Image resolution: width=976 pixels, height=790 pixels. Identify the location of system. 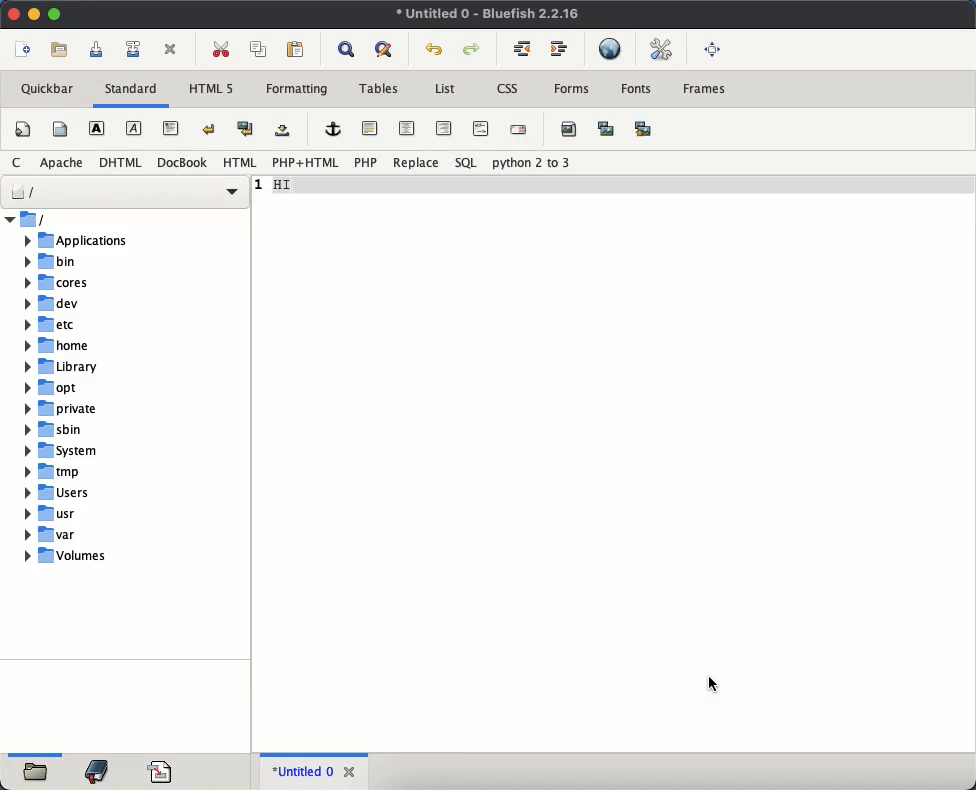
(102, 451).